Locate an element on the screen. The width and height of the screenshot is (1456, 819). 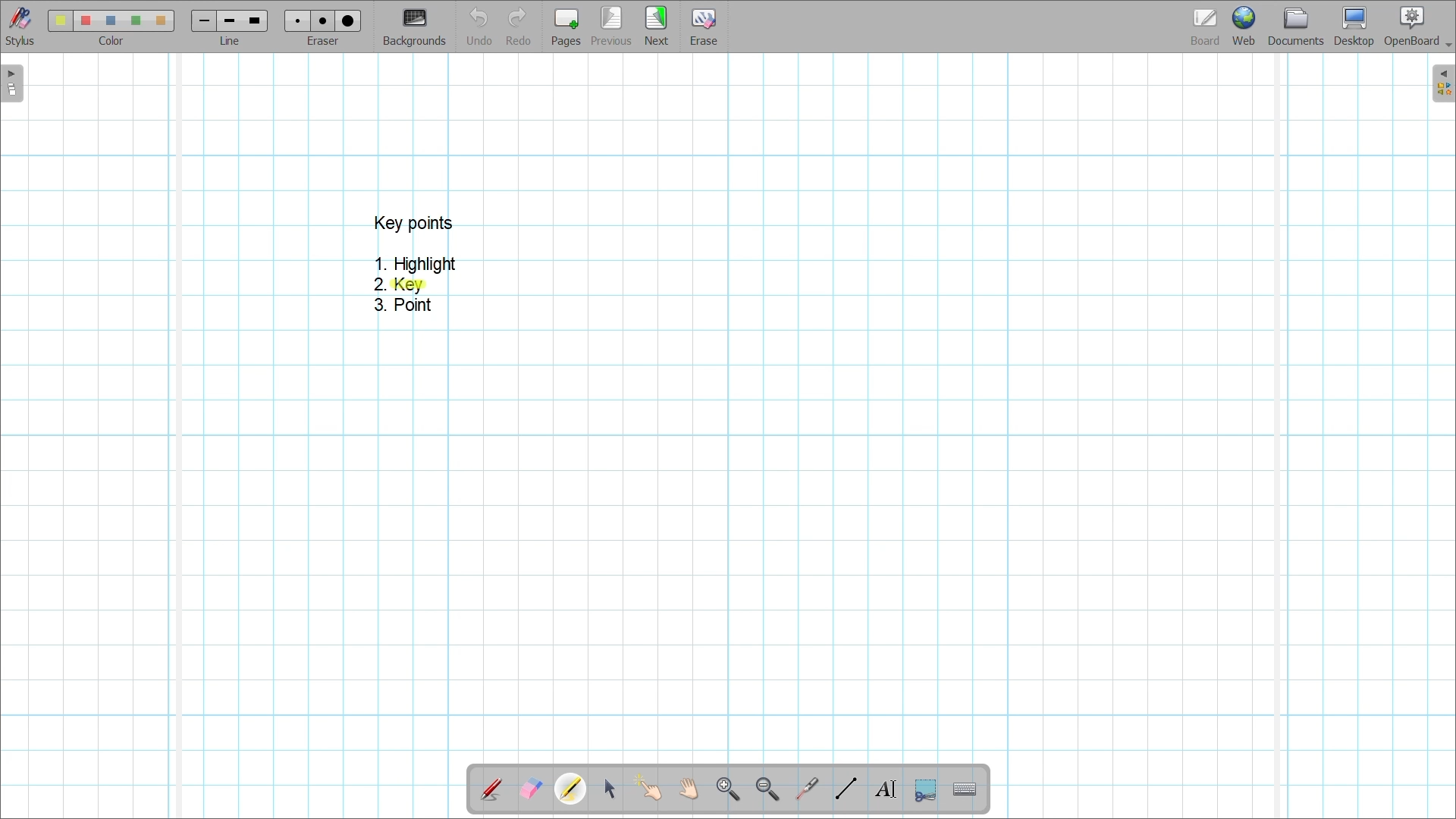
line 2 is located at coordinates (227, 21).